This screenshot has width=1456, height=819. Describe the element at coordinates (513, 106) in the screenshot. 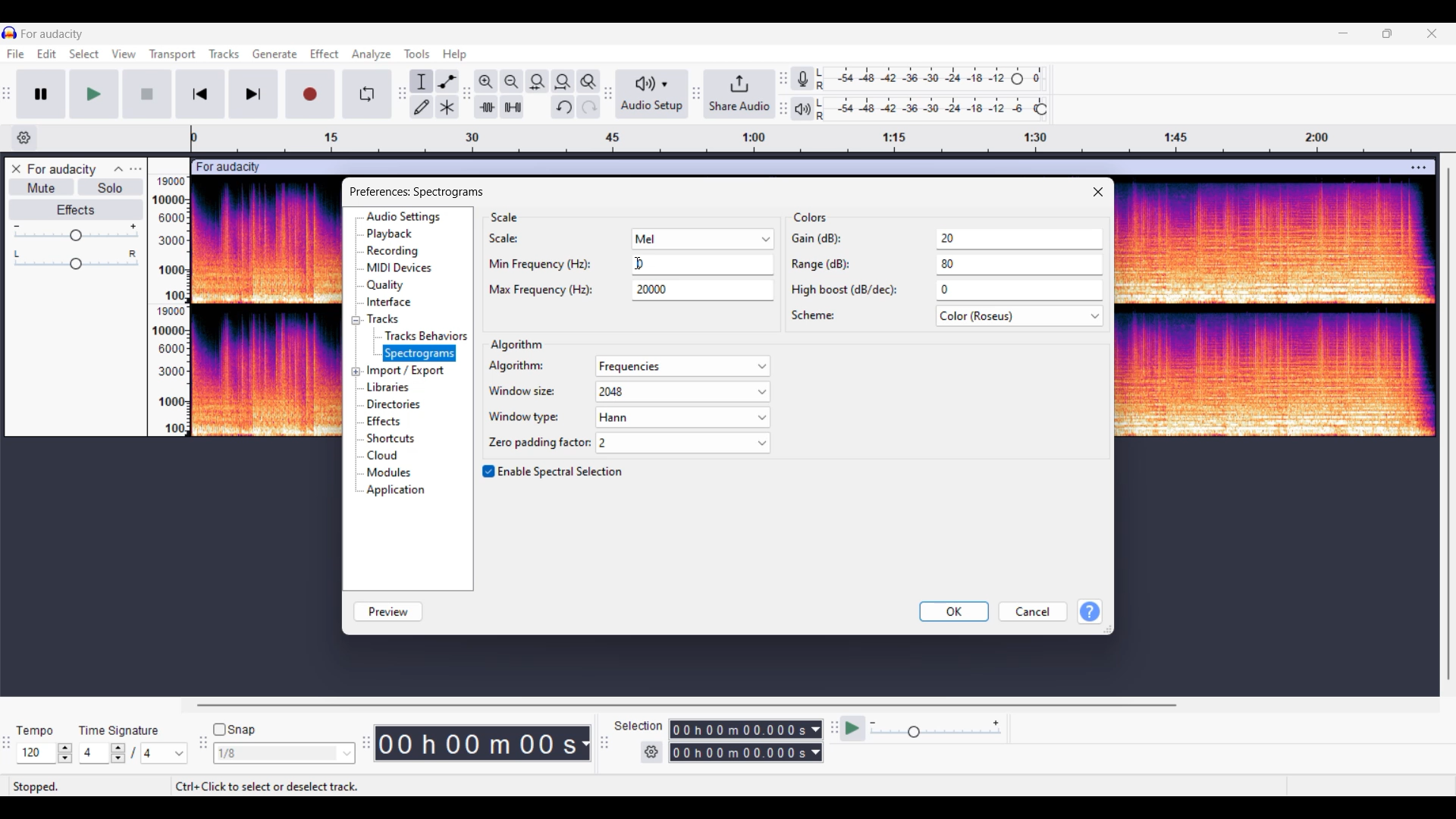

I see `Silence audio selectio` at that location.